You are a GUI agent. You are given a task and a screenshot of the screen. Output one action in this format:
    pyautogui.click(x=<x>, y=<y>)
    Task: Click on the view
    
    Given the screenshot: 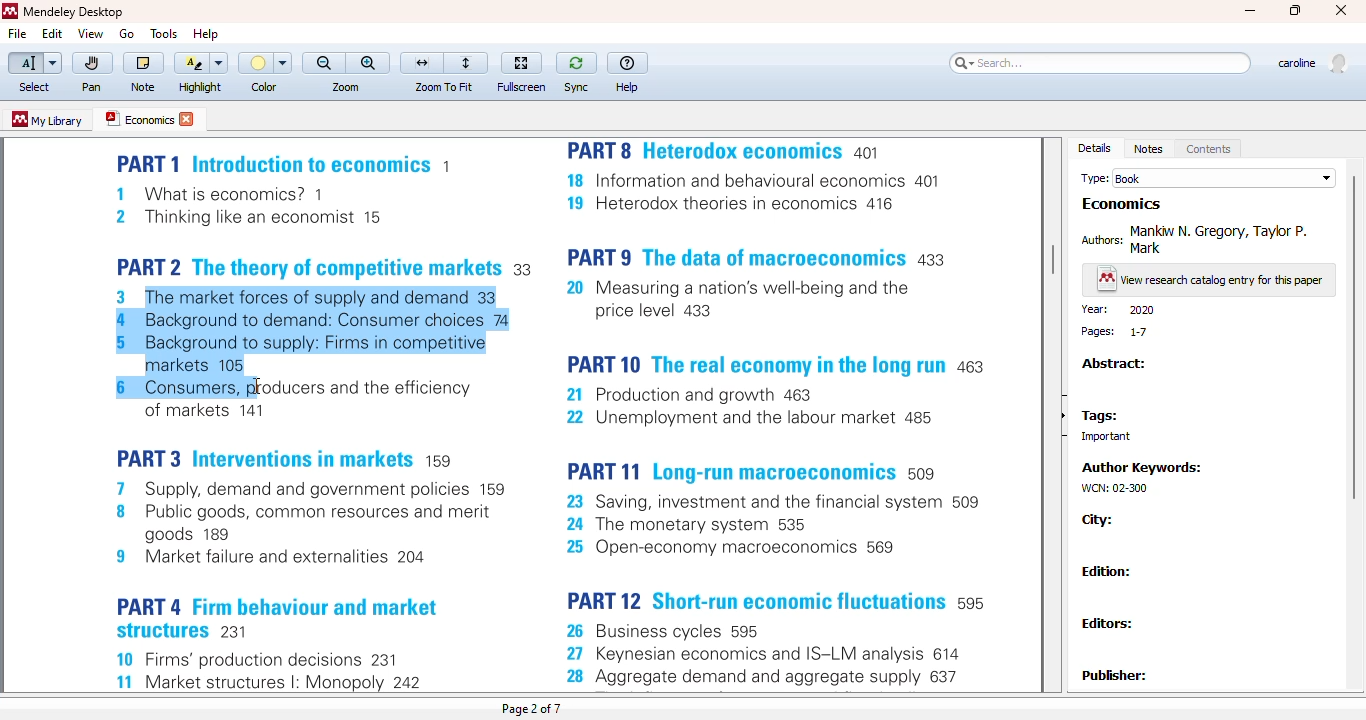 What is the action you would take?
    pyautogui.click(x=90, y=33)
    